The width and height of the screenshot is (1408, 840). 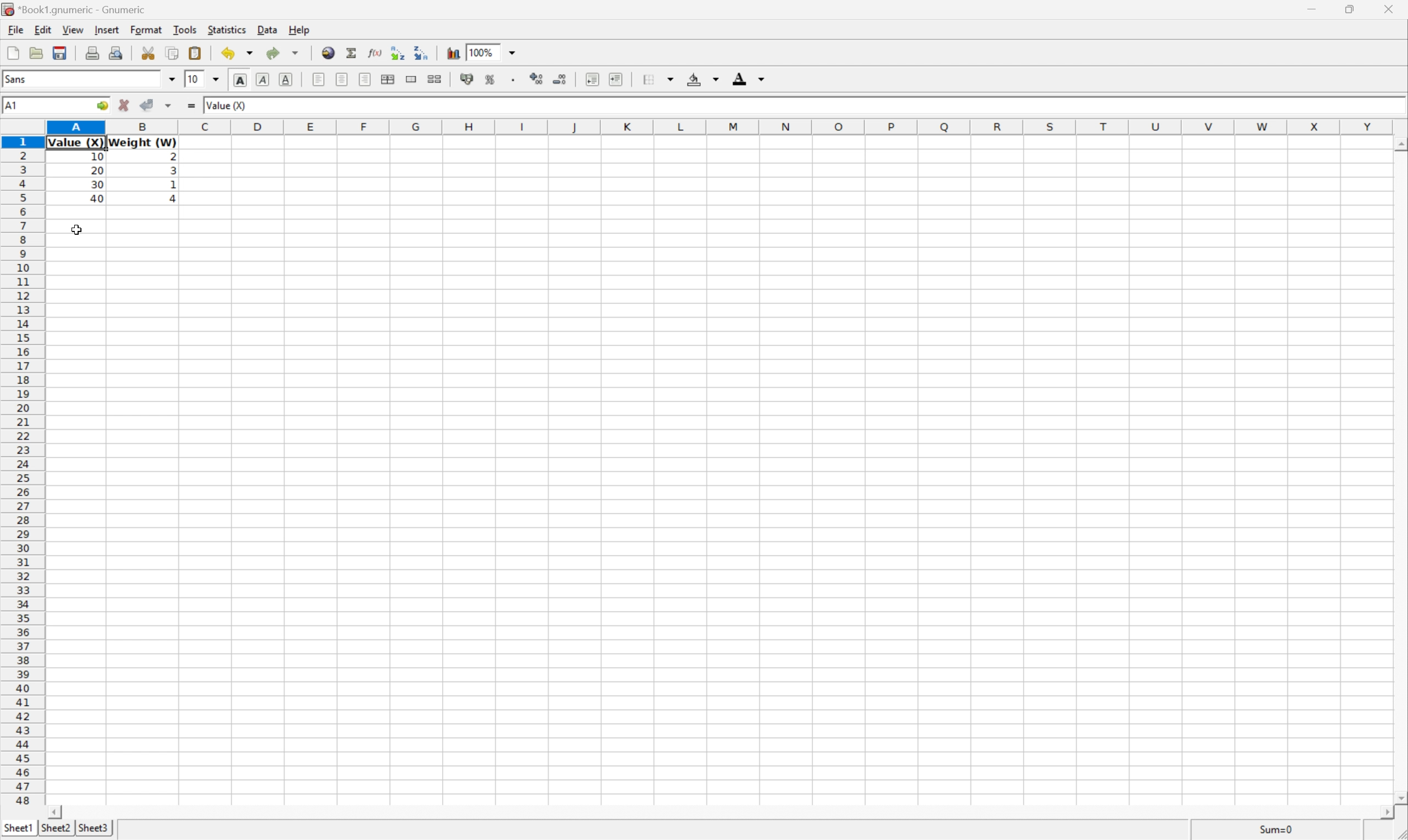 I want to click on Row number, so click(x=21, y=472).